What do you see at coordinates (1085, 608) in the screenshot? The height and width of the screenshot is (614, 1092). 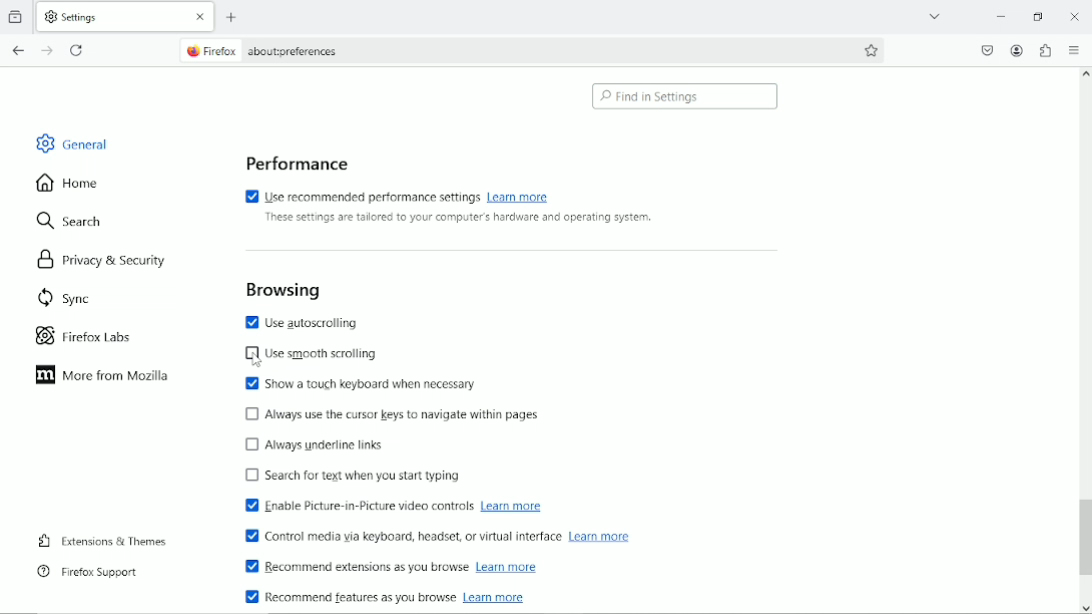 I see `scroll down` at bounding box center [1085, 608].